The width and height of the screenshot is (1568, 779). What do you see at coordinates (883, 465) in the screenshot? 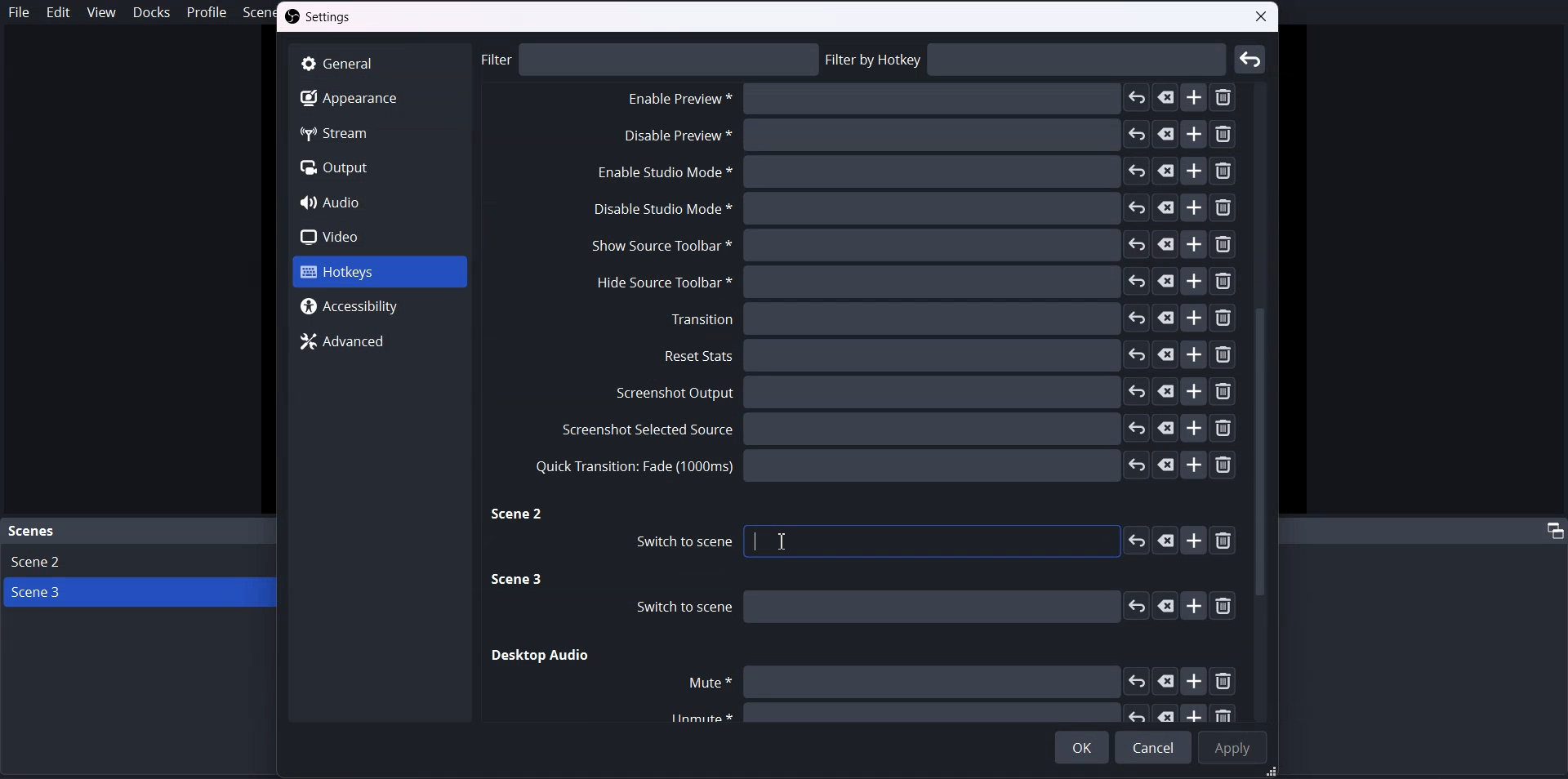
I see `Quick transition fade` at bounding box center [883, 465].